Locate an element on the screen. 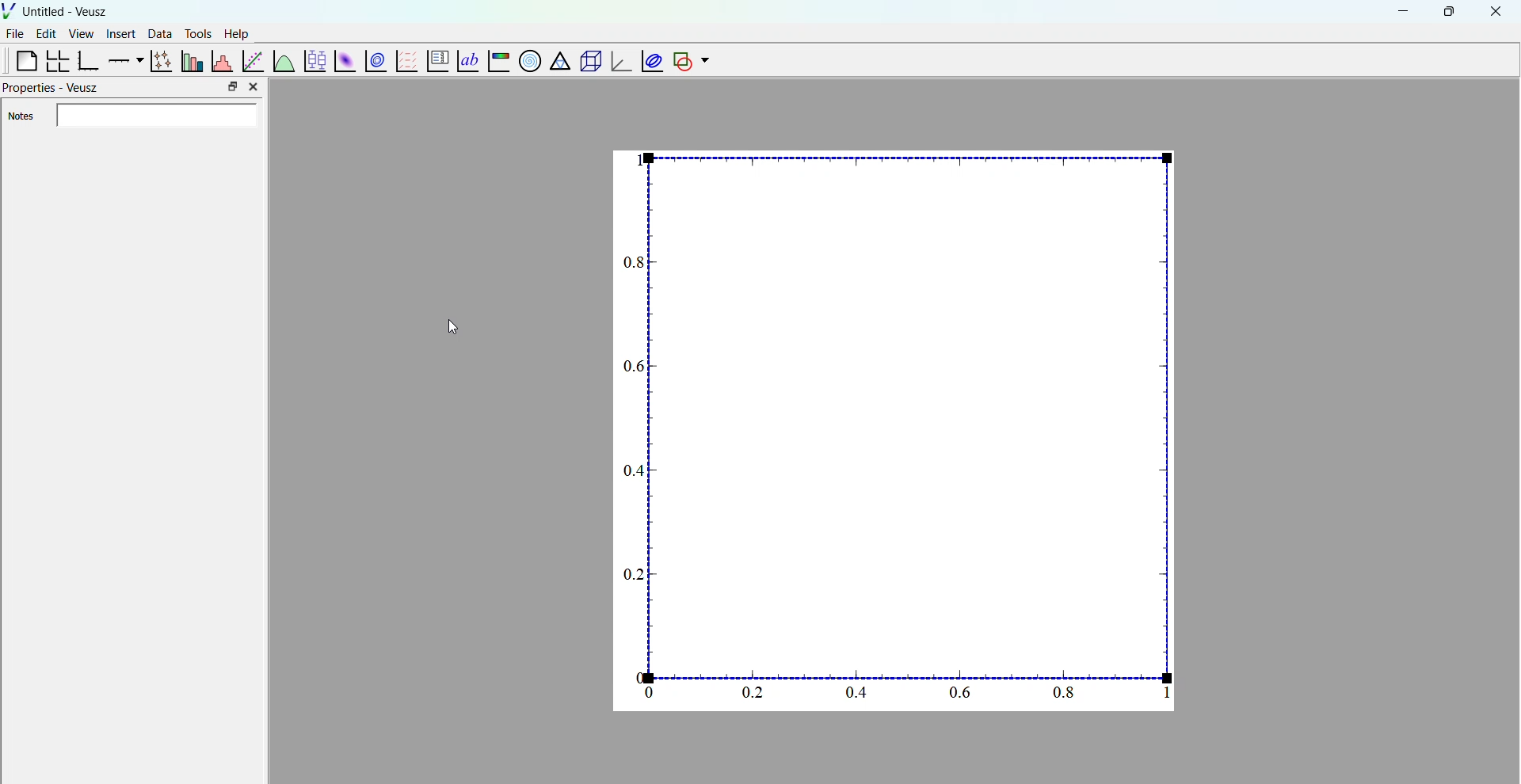 This screenshot has width=1521, height=784. text label is located at coordinates (466, 59).